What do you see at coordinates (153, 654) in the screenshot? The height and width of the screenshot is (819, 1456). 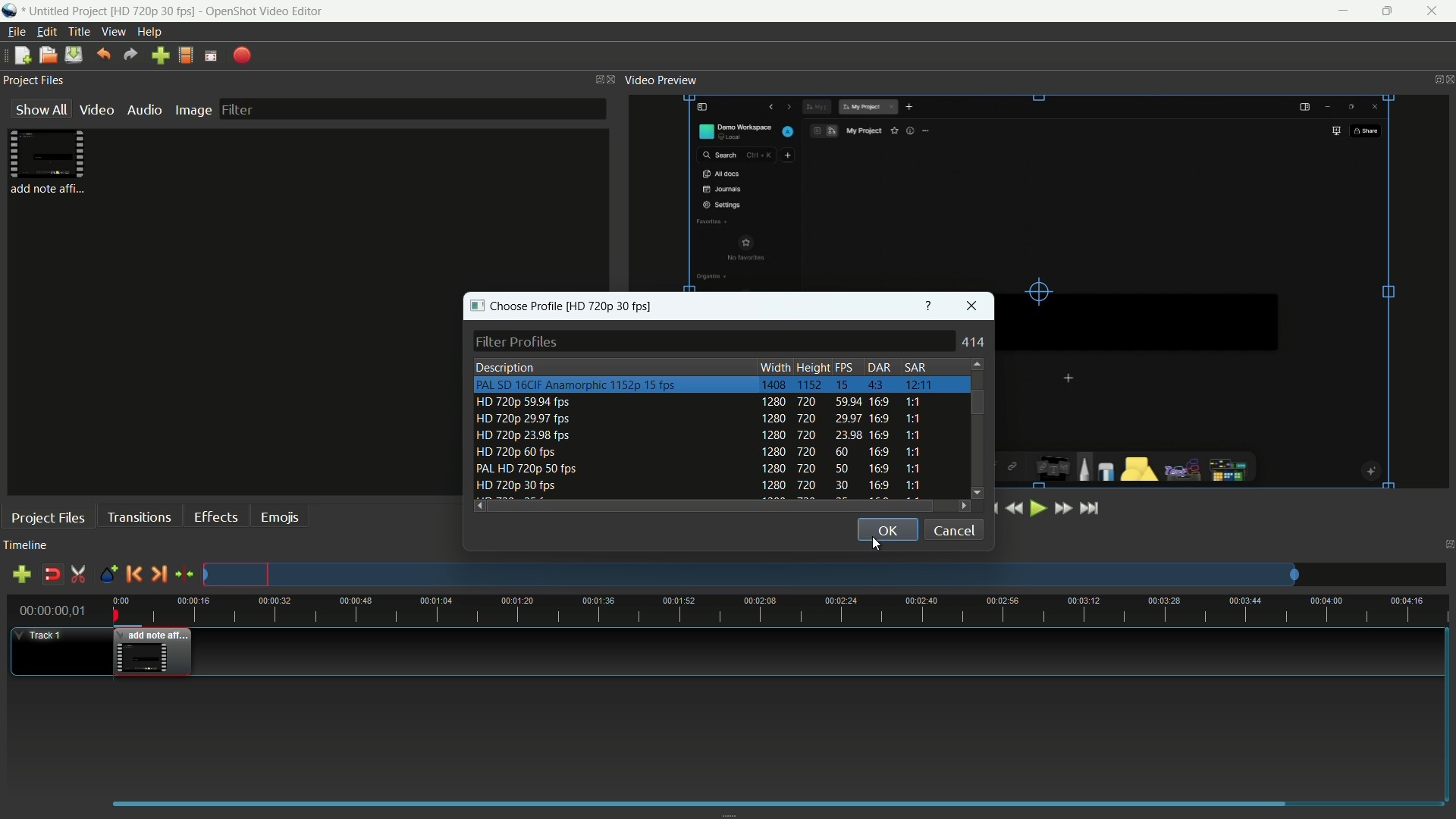 I see `video in timeline` at bounding box center [153, 654].